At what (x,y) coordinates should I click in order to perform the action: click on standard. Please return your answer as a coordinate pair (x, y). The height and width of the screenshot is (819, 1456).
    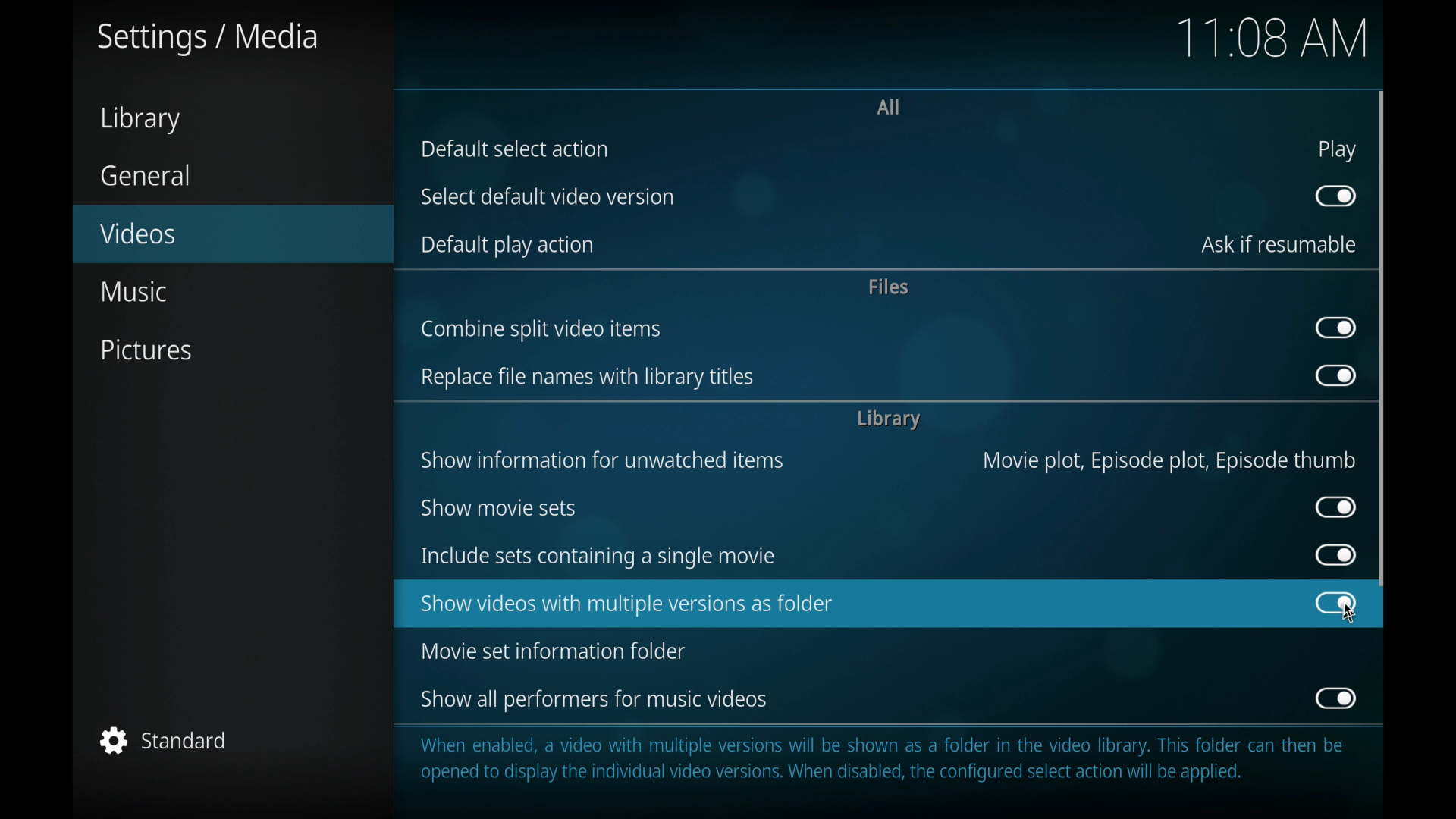
    Looking at the image, I should click on (165, 740).